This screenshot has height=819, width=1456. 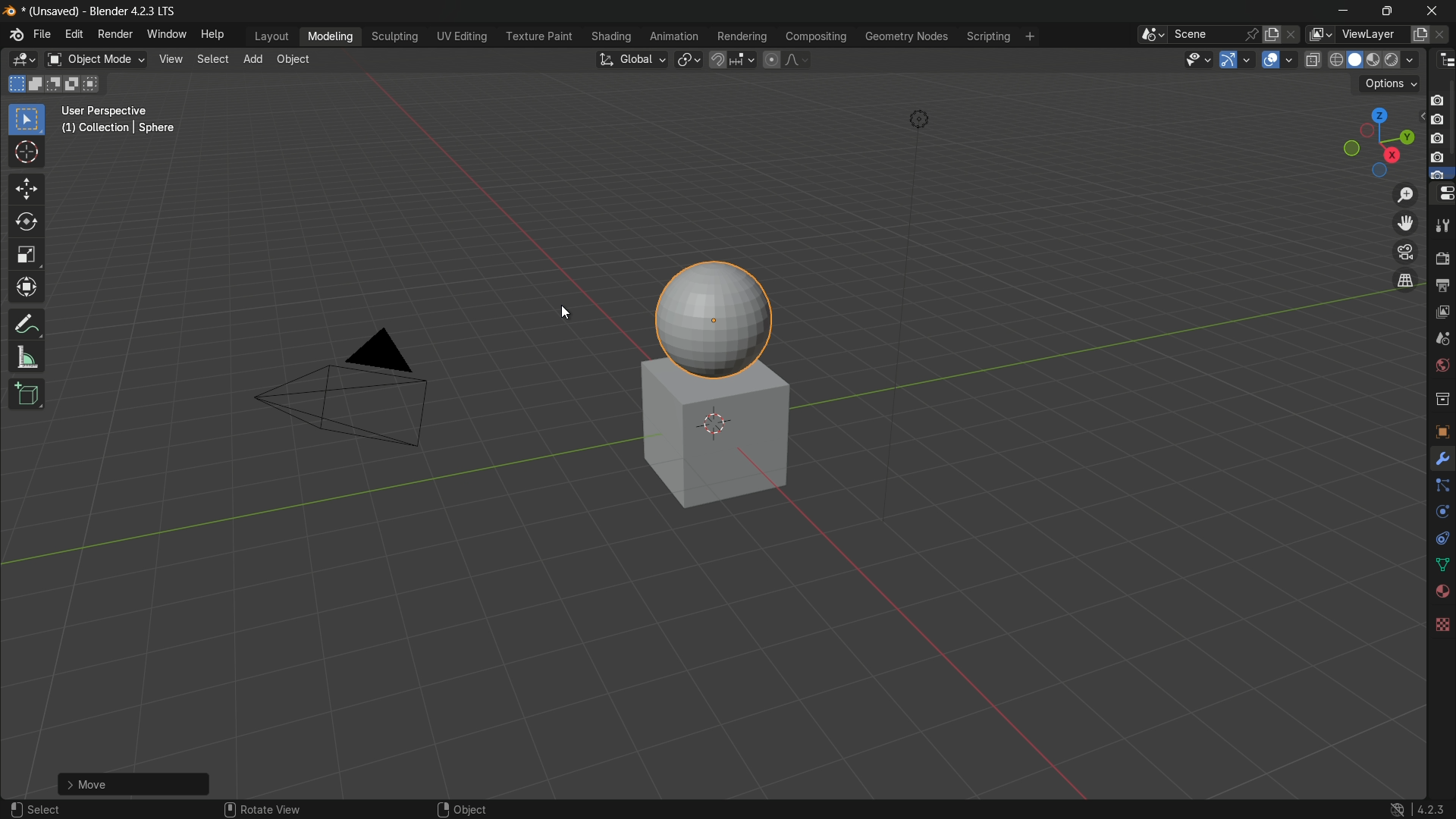 What do you see at coordinates (1389, 83) in the screenshot?
I see `options` at bounding box center [1389, 83].